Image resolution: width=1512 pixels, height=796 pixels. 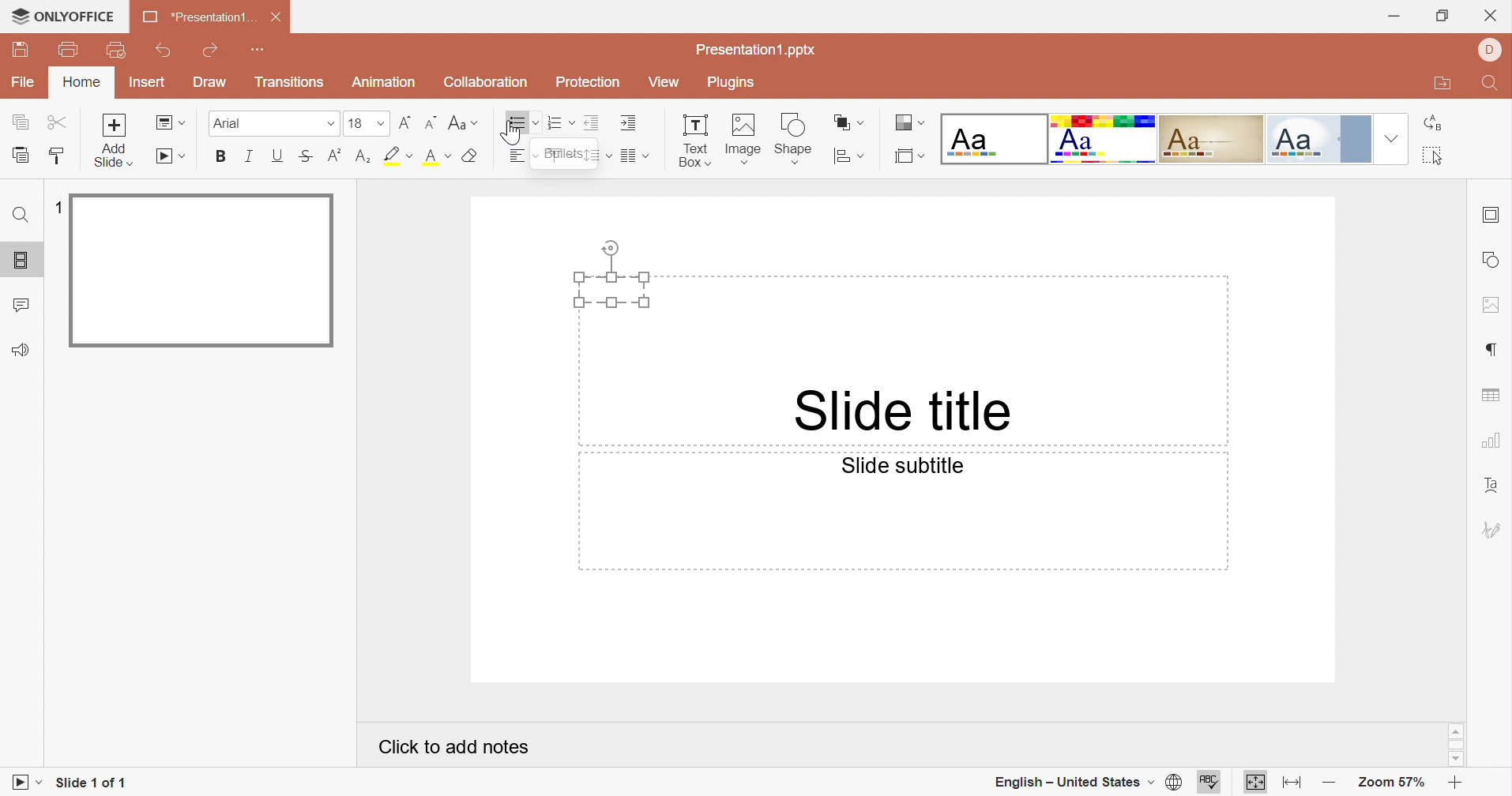 What do you see at coordinates (430, 122) in the screenshot?
I see `Decrement font size` at bounding box center [430, 122].